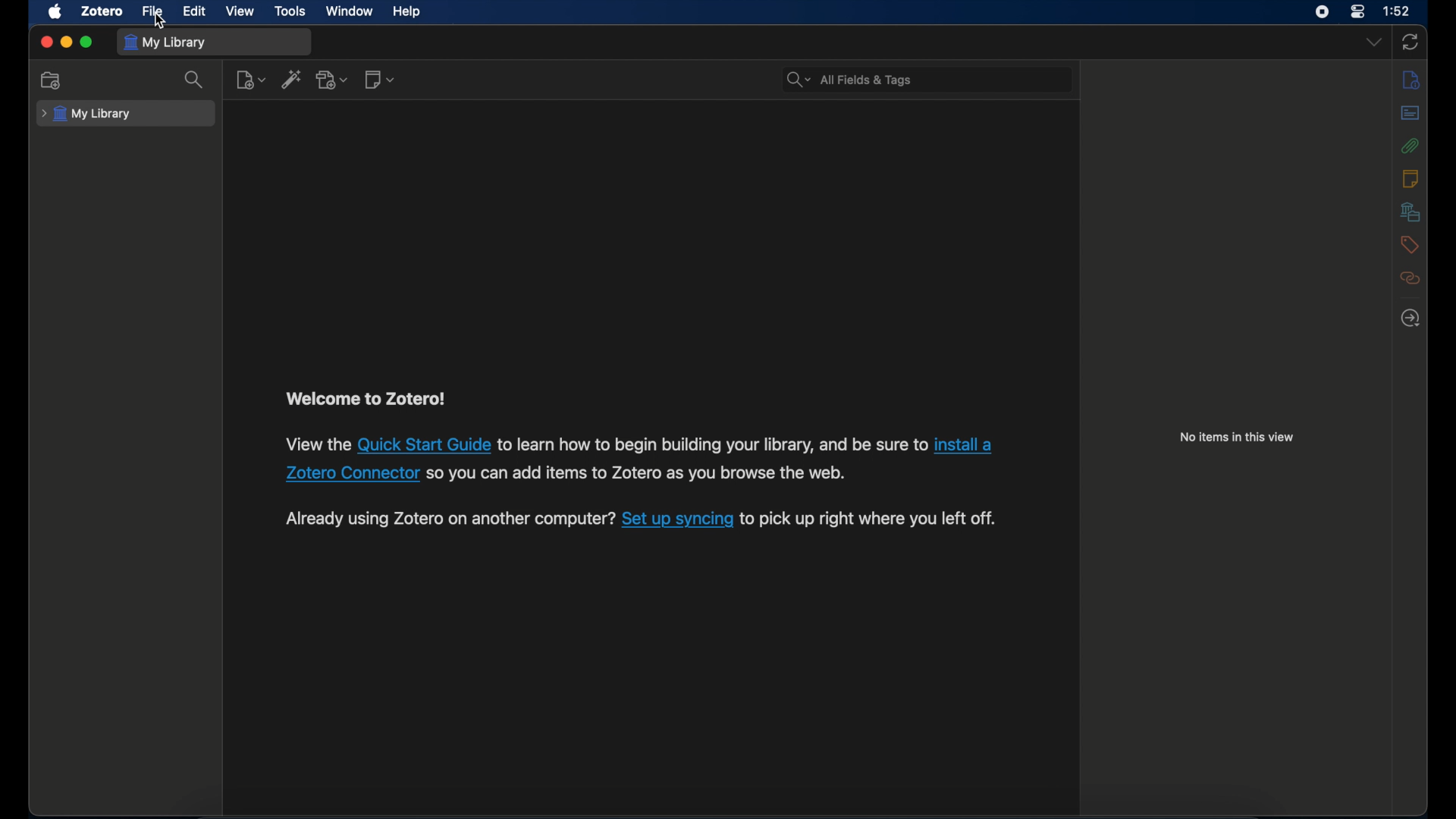 This screenshot has height=819, width=1456. What do you see at coordinates (364, 399) in the screenshot?
I see `welcome to zotero` at bounding box center [364, 399].